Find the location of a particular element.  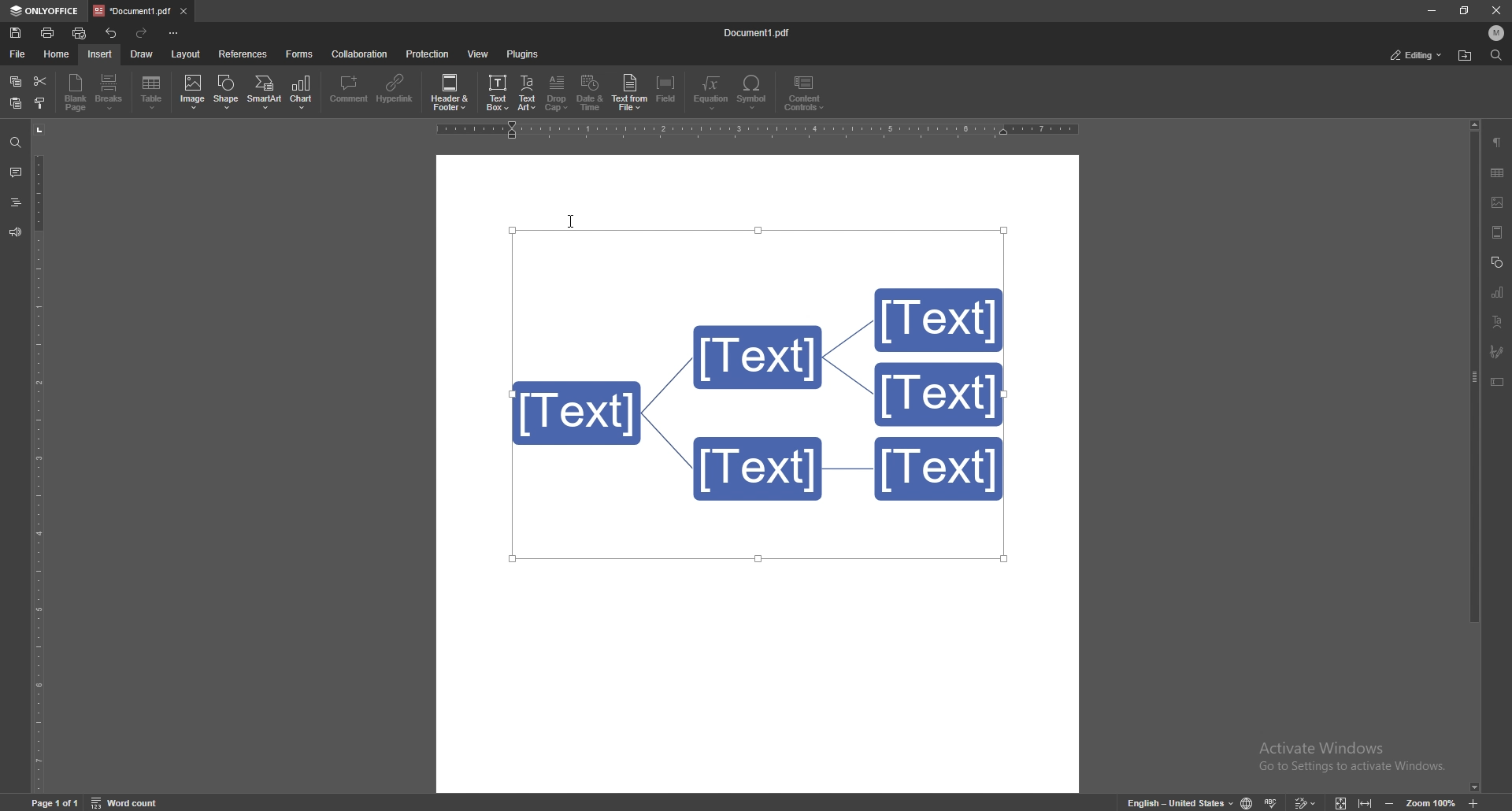

table is located at coordinates (153, 93).